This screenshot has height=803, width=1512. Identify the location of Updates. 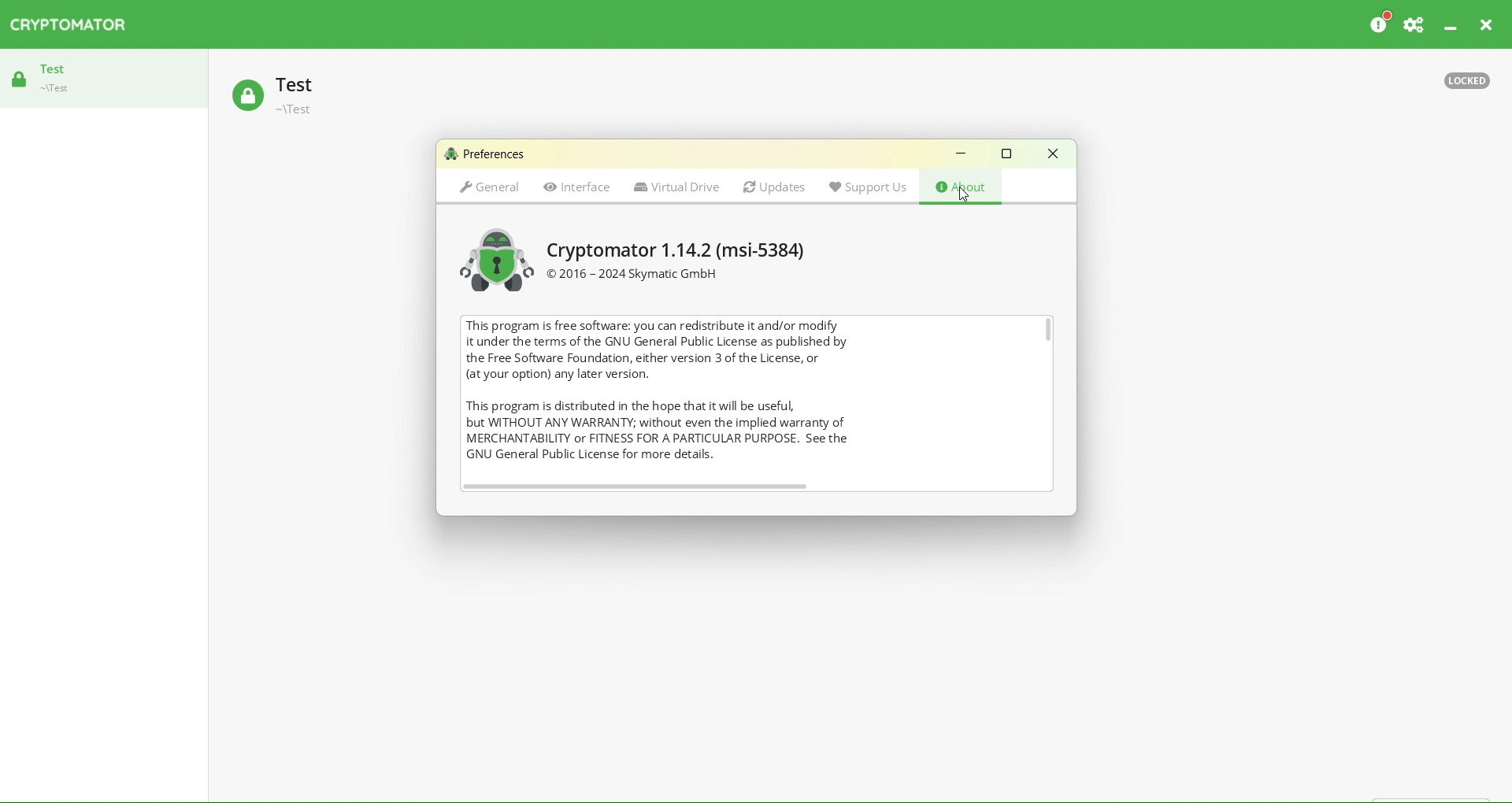
(773, 189).